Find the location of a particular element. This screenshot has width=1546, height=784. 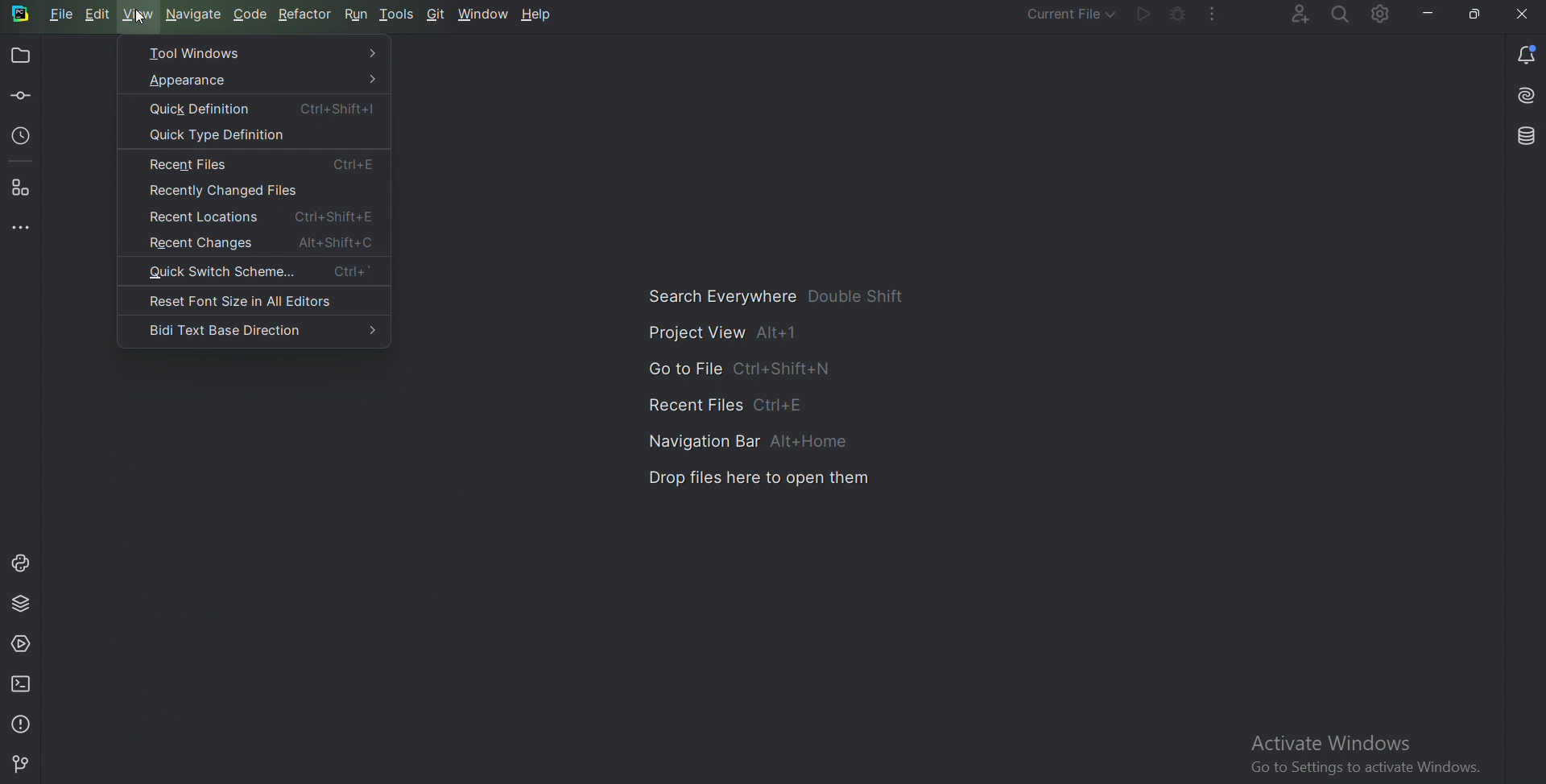

minimize is located at coordinates (1429, 14).